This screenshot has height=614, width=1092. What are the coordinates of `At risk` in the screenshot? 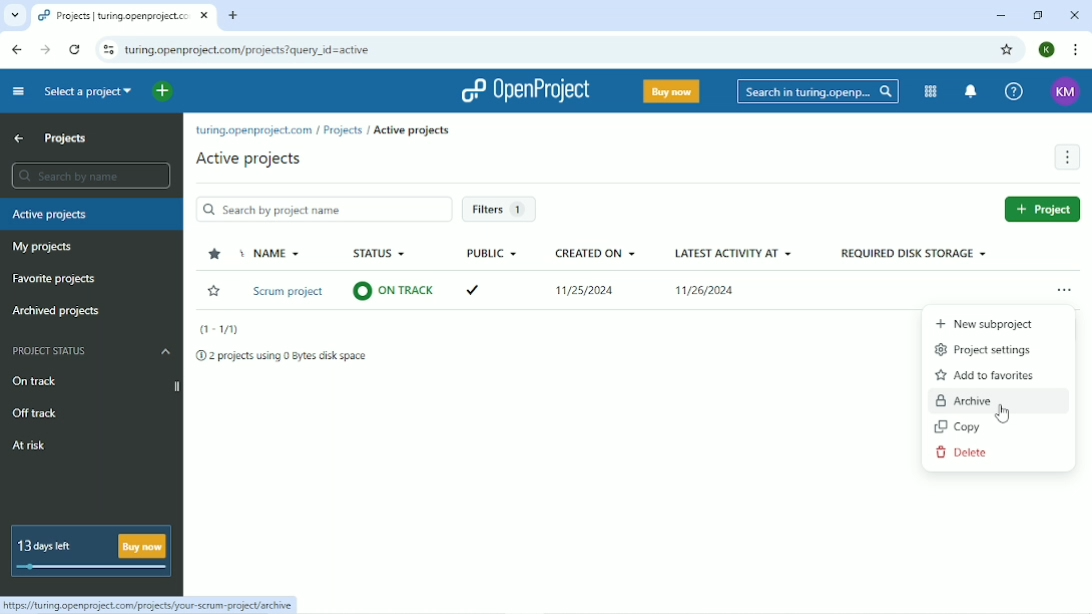 It's located at (33, 448).